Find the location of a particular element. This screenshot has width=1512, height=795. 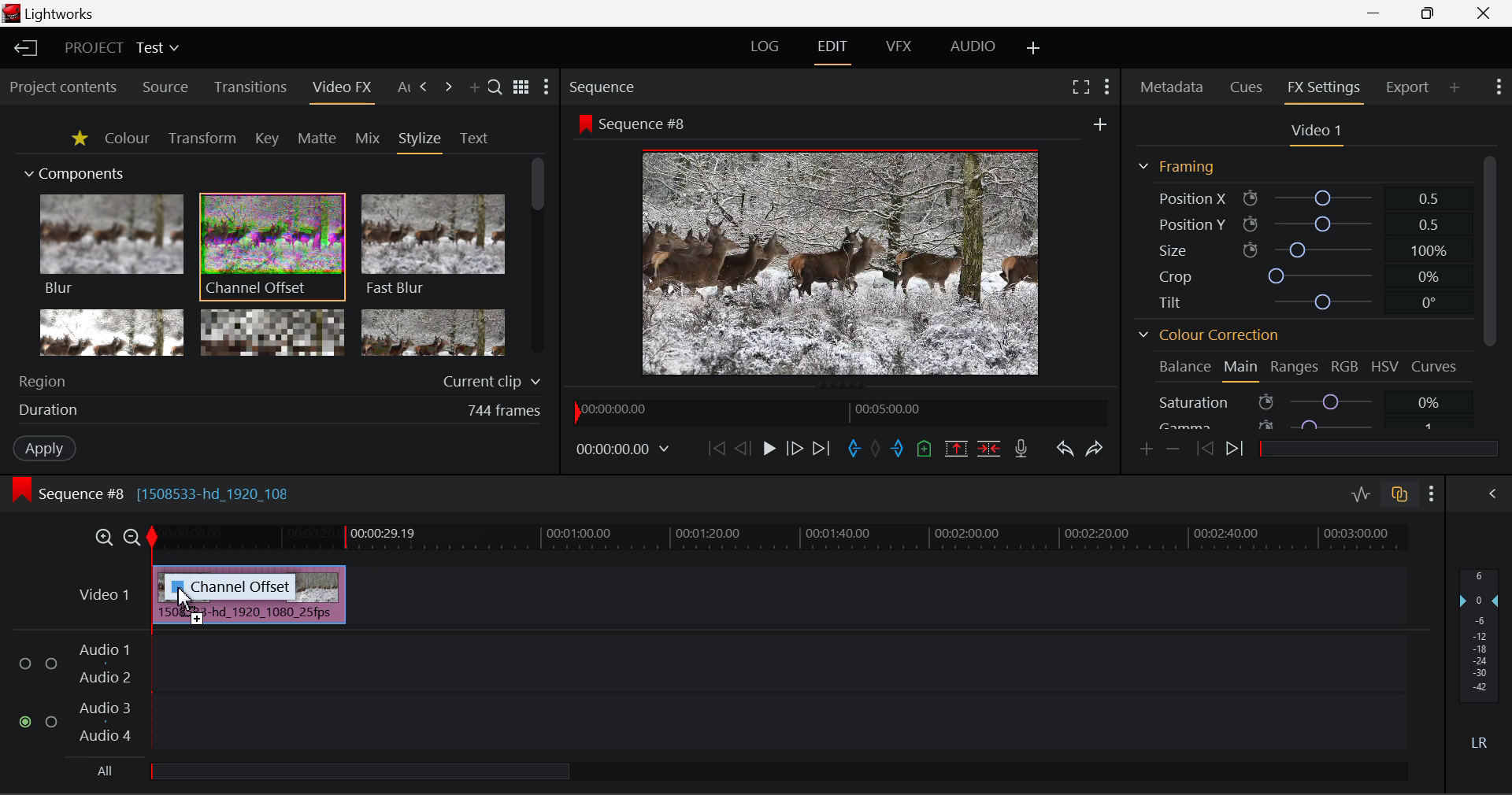

Timeline Zoom Out is located at coordinates (134, 539).